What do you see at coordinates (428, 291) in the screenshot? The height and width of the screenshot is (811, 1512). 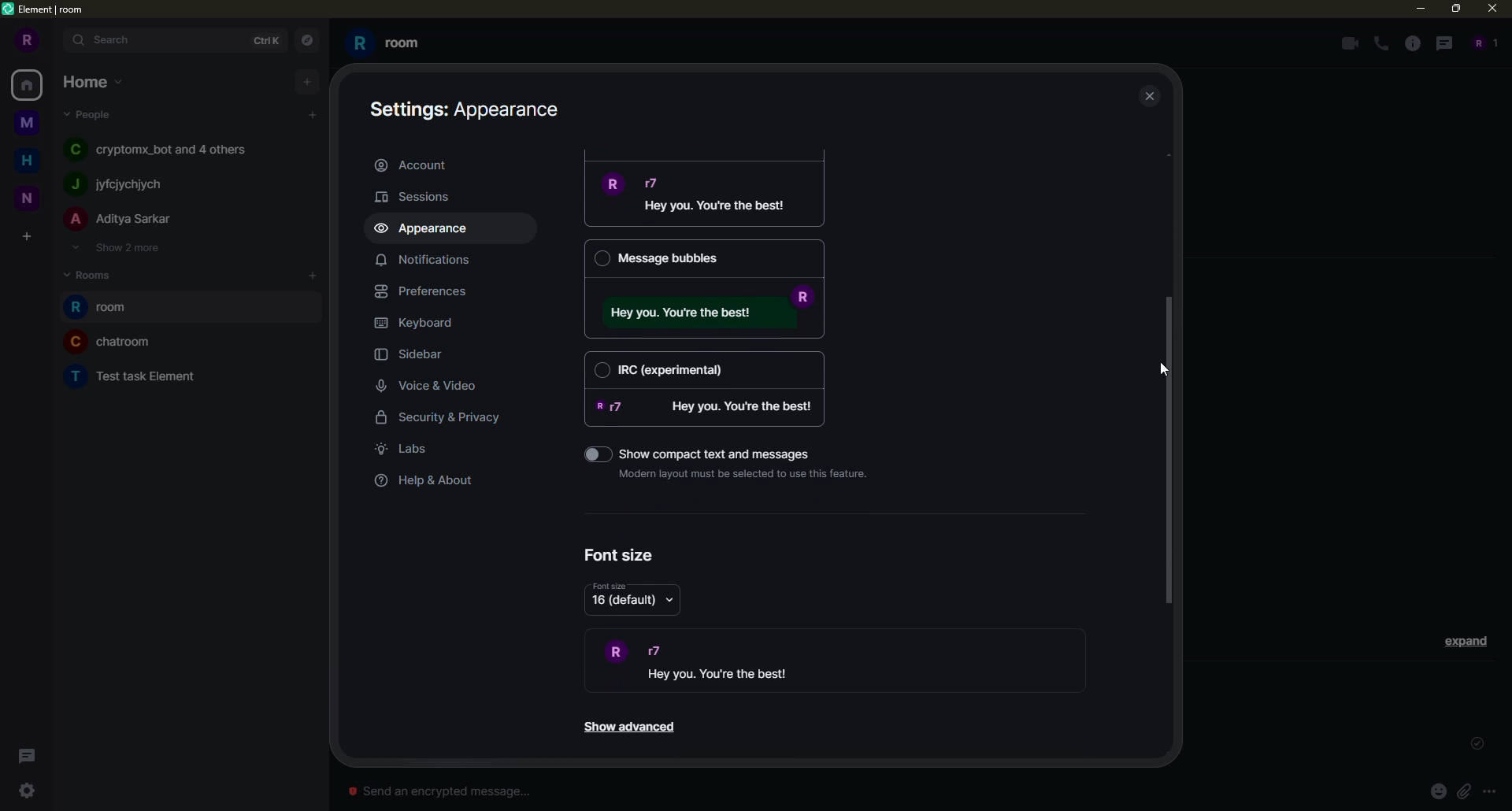 I see `preferences` at bounding box center [428, 291].